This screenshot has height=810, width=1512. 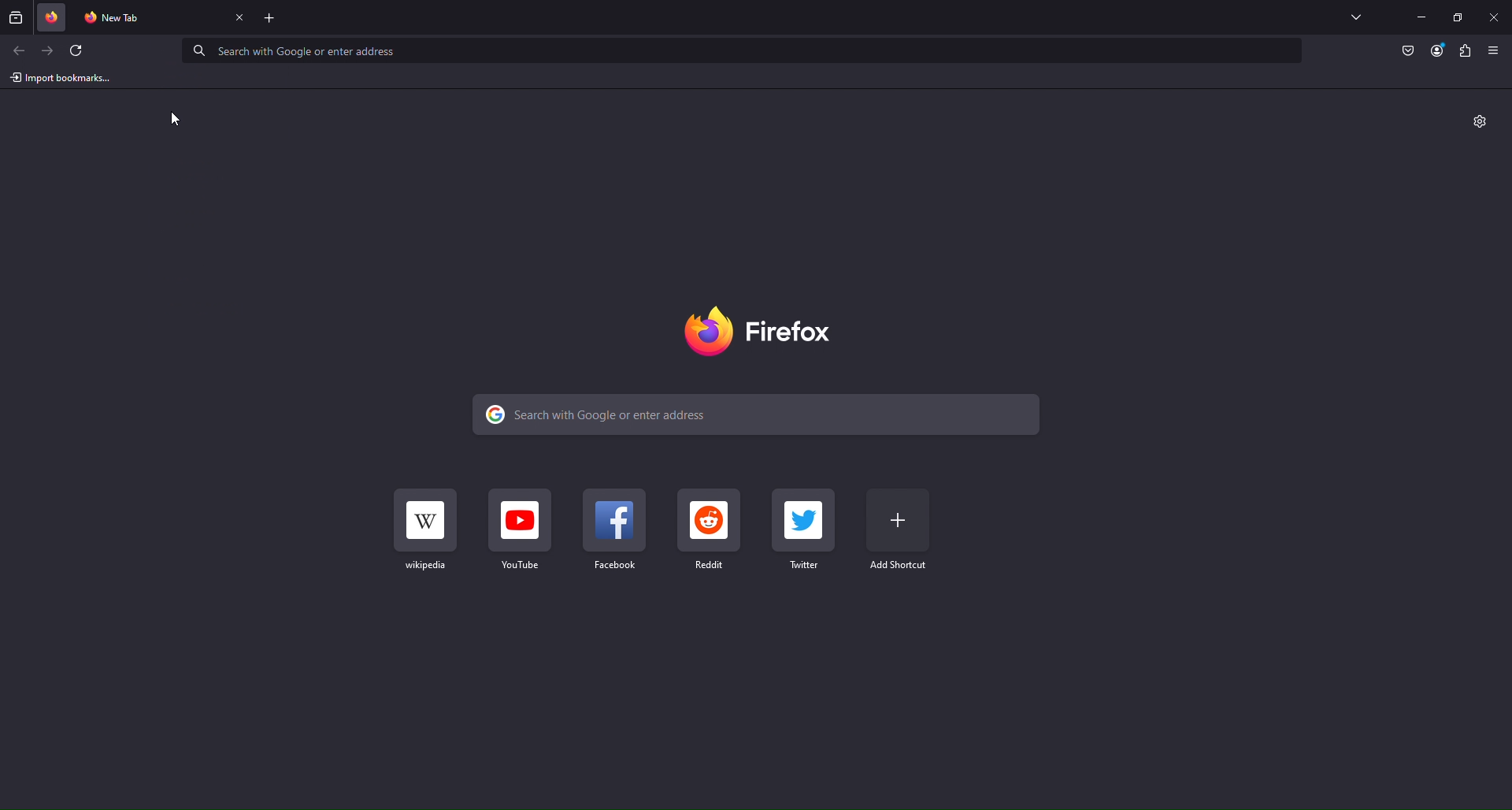 I want to click on Add Shortcut, so click(x=899, y=530).